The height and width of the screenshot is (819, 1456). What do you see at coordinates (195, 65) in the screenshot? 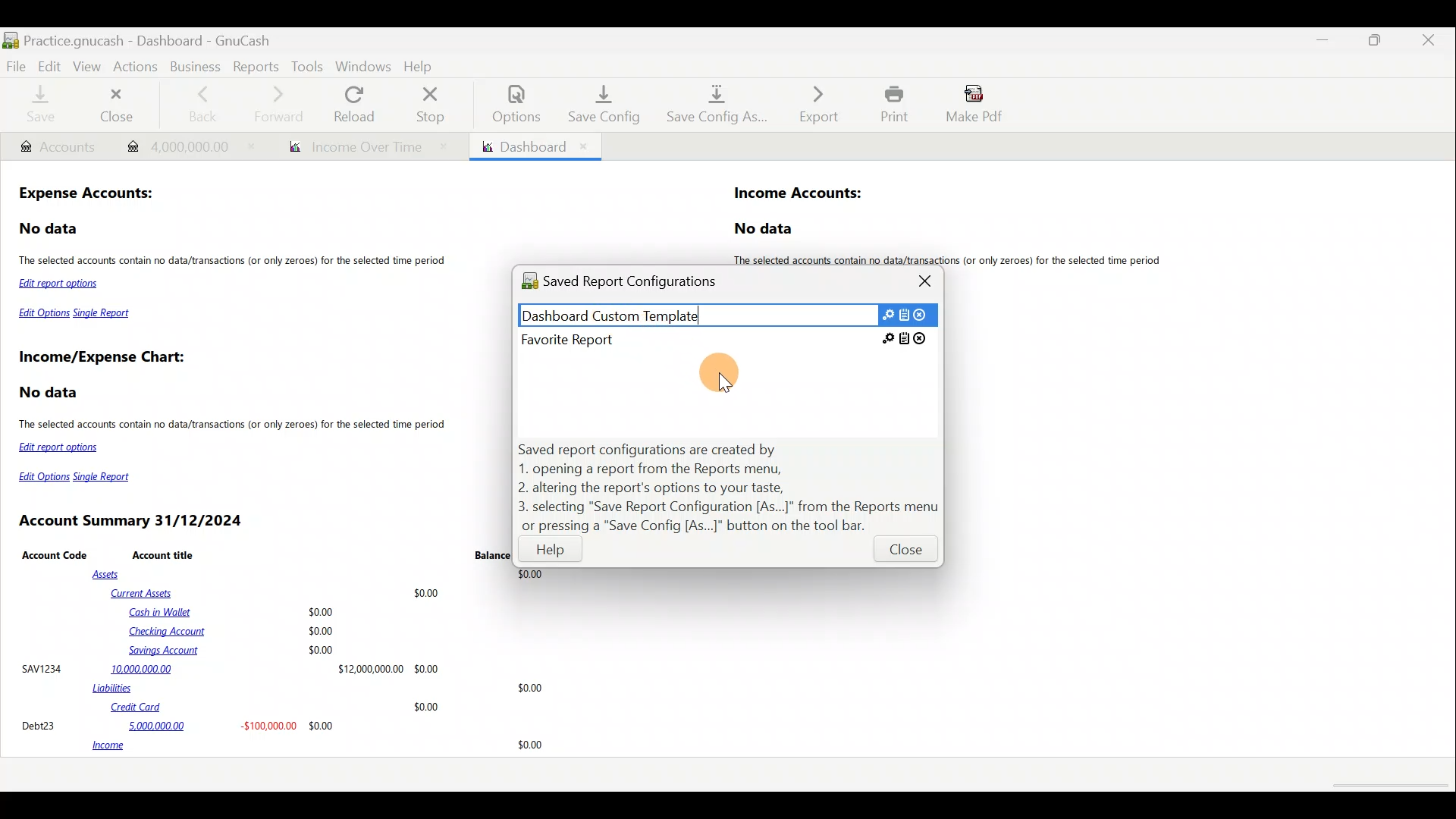
I see `Business` at bounding box center [195, 65].